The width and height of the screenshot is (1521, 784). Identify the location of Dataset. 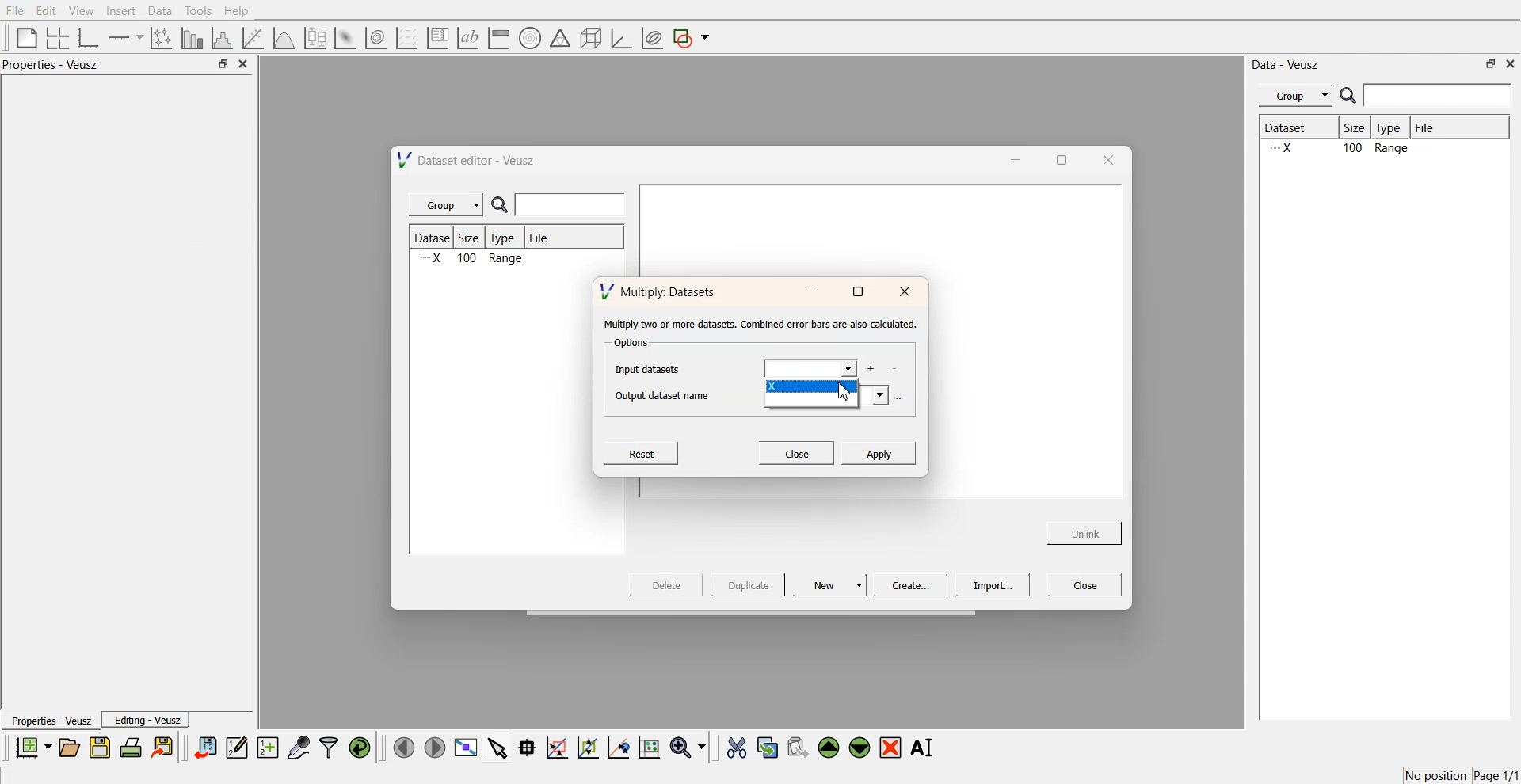
(1298, 129).